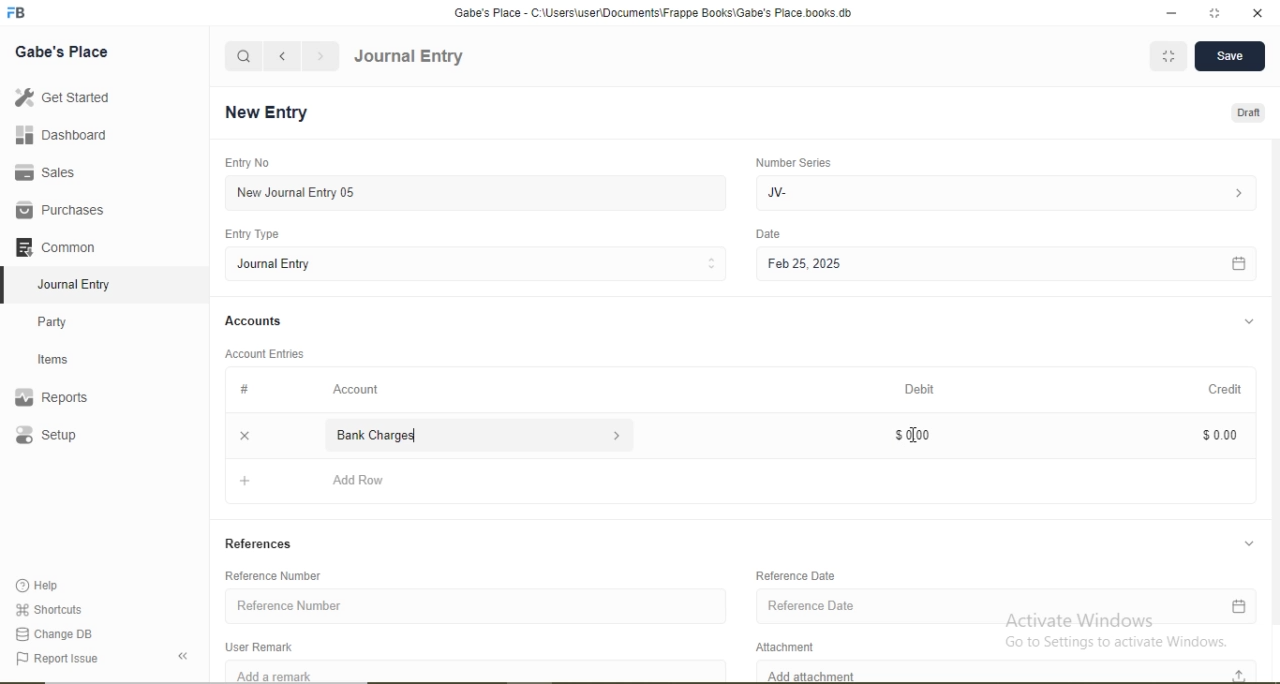 This screenshot has width=1280, height=684. I want to click on $0.00, so click(910, 433).